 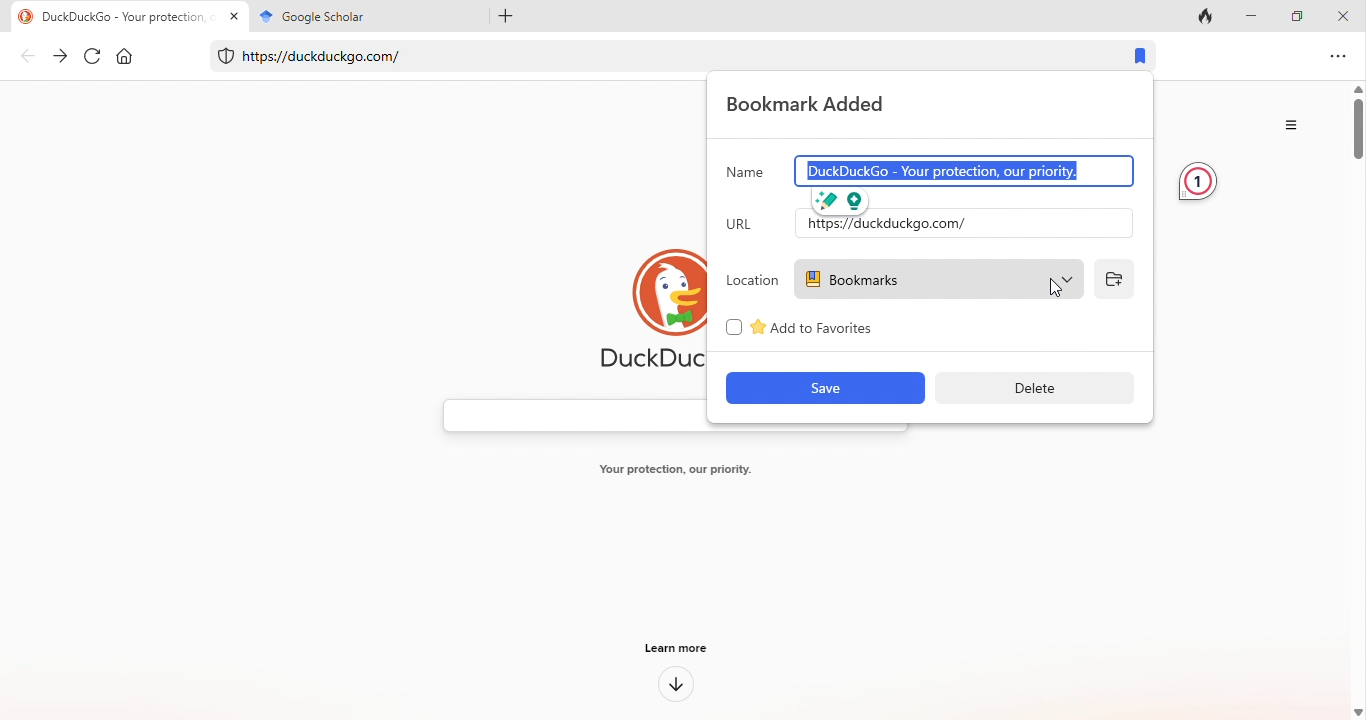 I want to click on name, so click(x=745, y=172).